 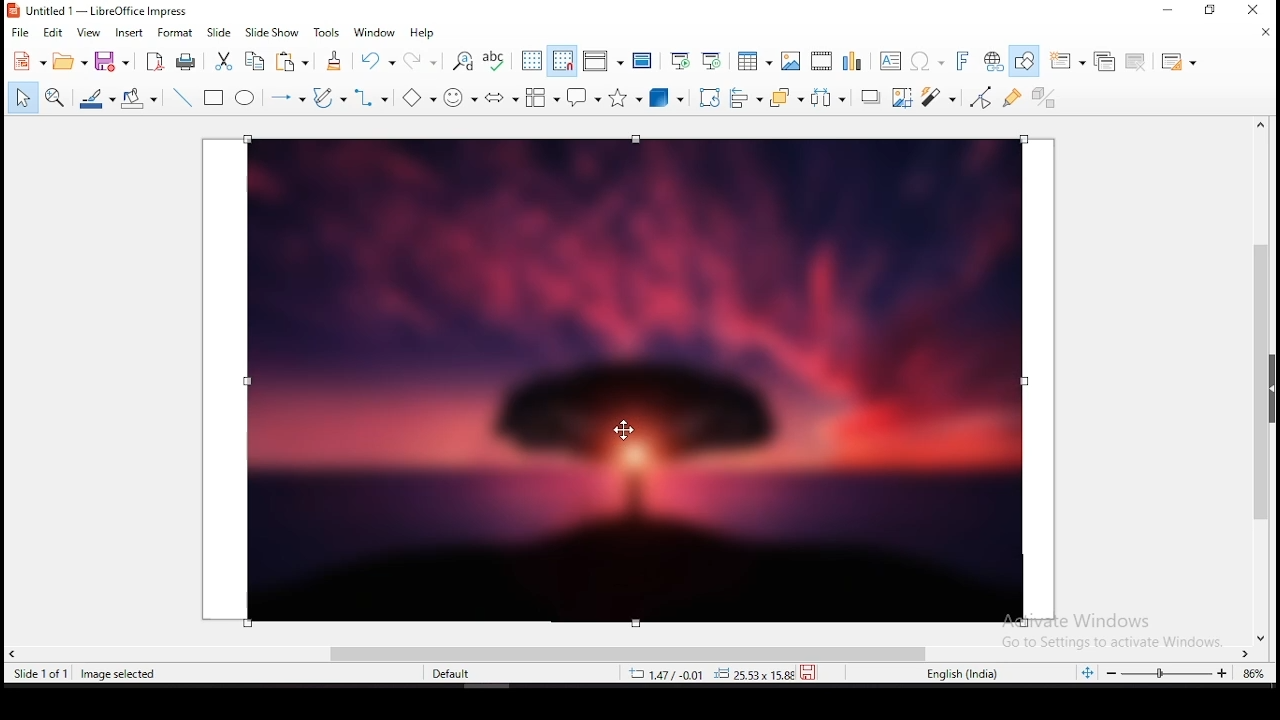 What do you see at coordinates (752, 61) in the screenshot?
I see `tables` at bounding box center [752, 61].